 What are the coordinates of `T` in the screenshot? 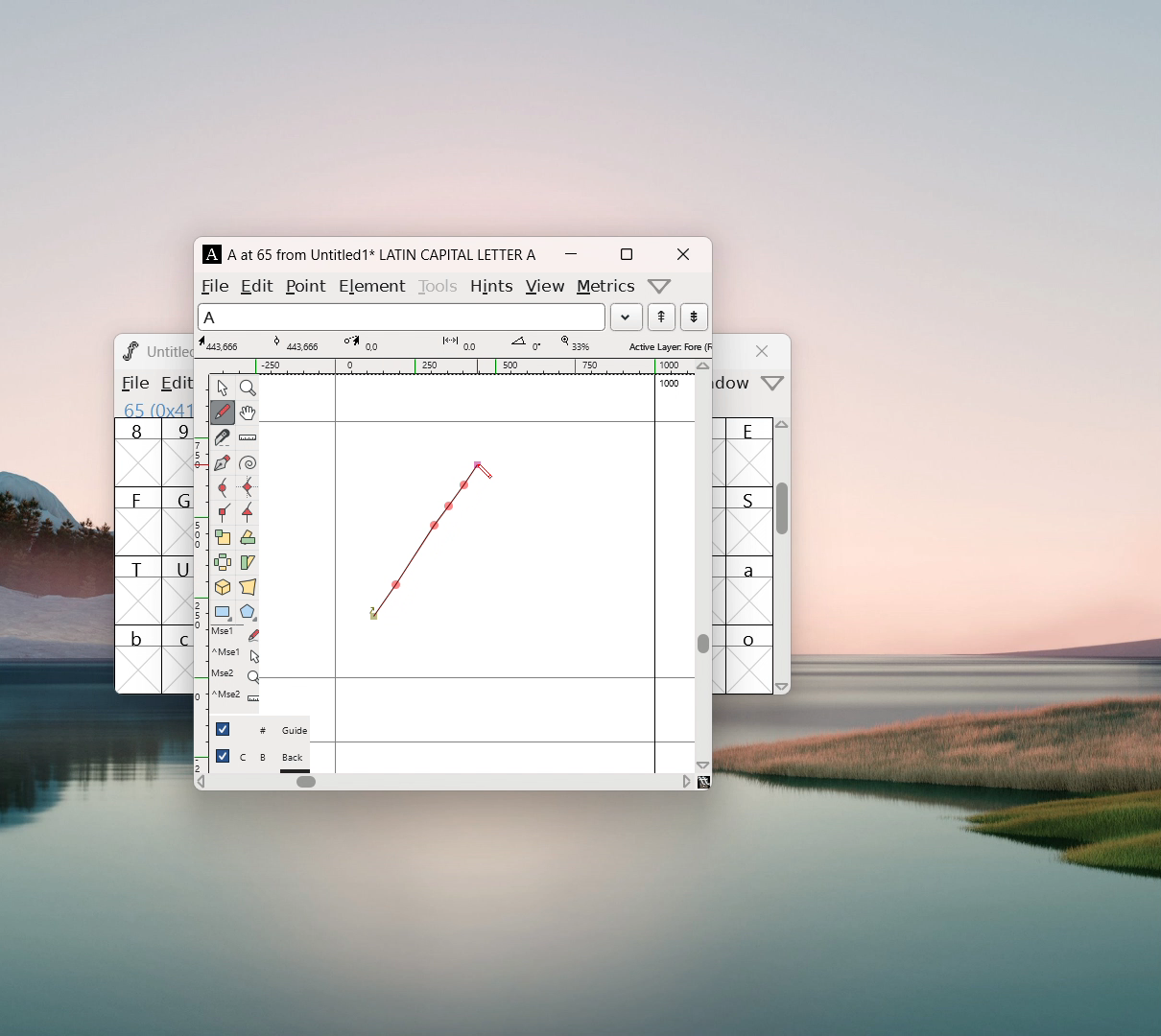 It's located at (138, 590).